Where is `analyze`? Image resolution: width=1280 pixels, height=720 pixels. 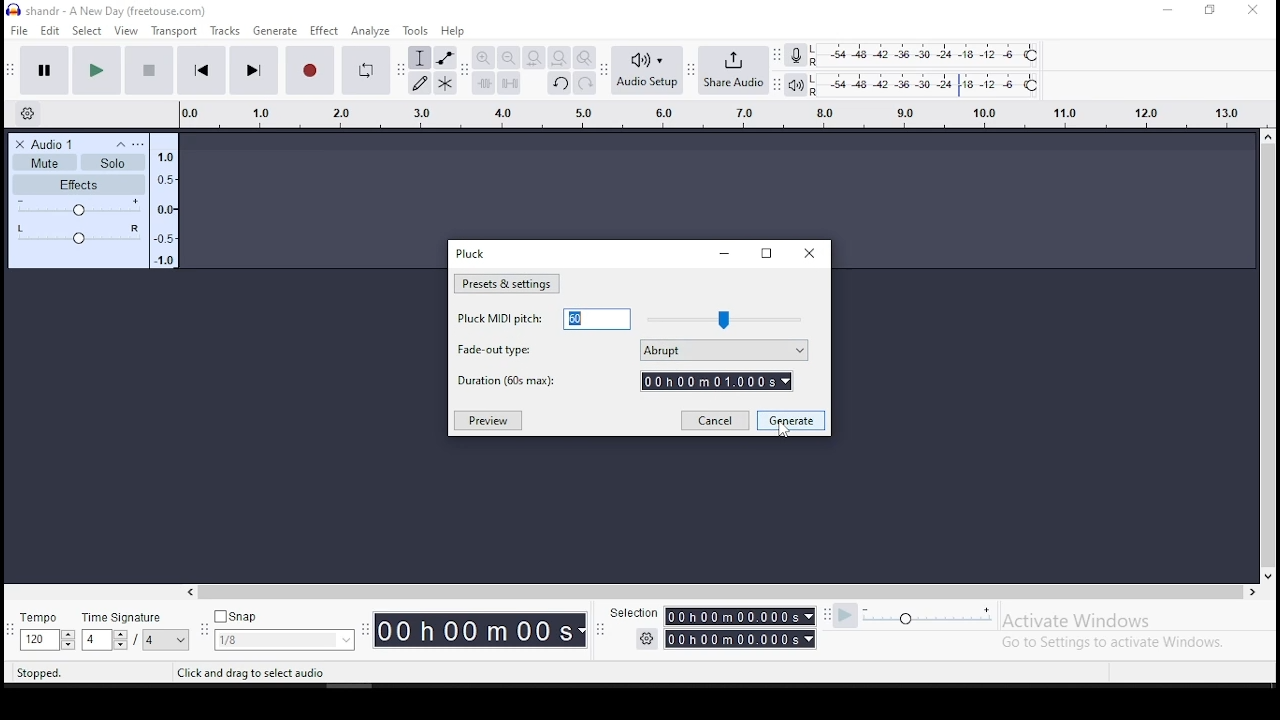 analyze is located at coordinates (369, 30).